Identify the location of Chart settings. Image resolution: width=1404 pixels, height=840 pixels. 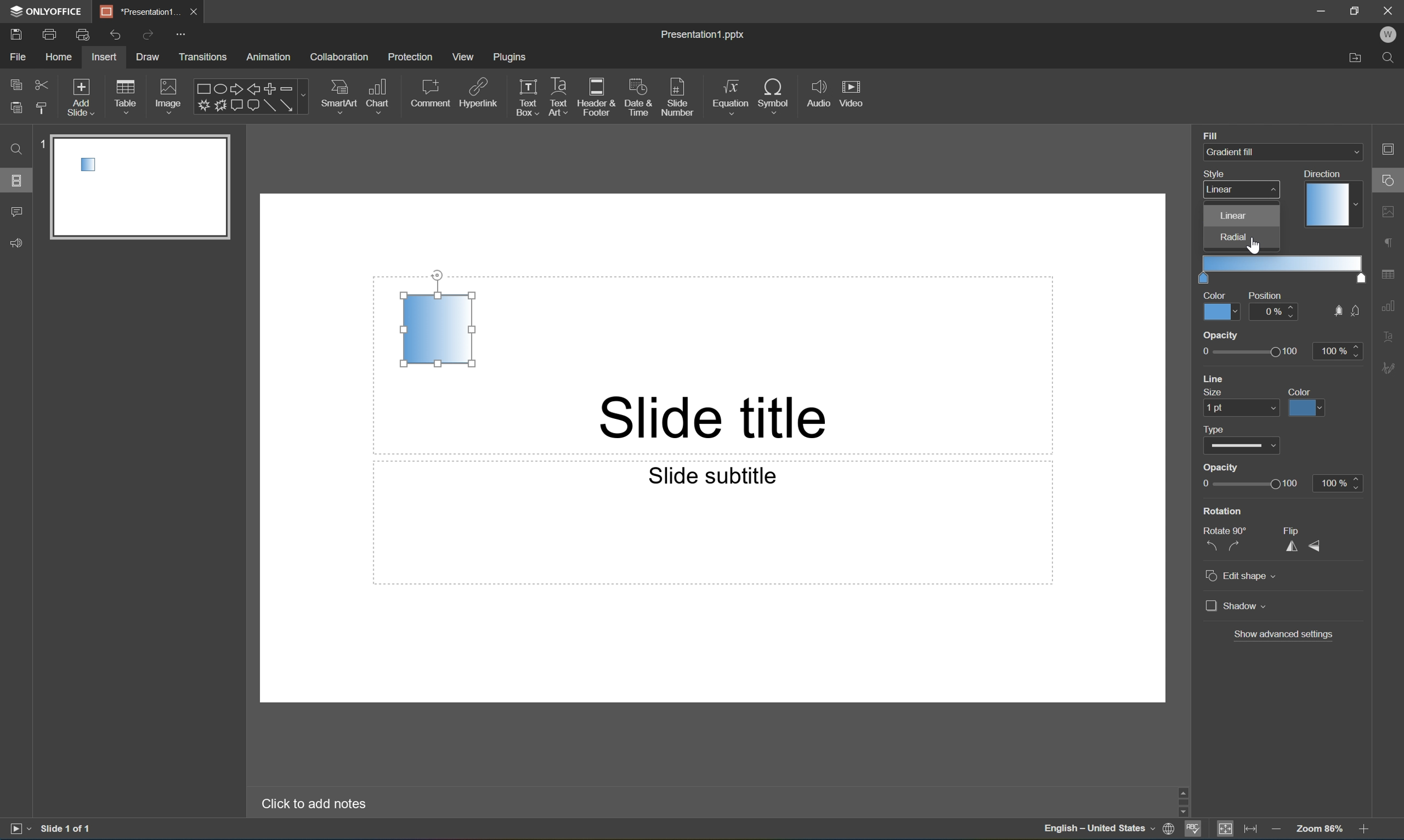
(1391, 306).